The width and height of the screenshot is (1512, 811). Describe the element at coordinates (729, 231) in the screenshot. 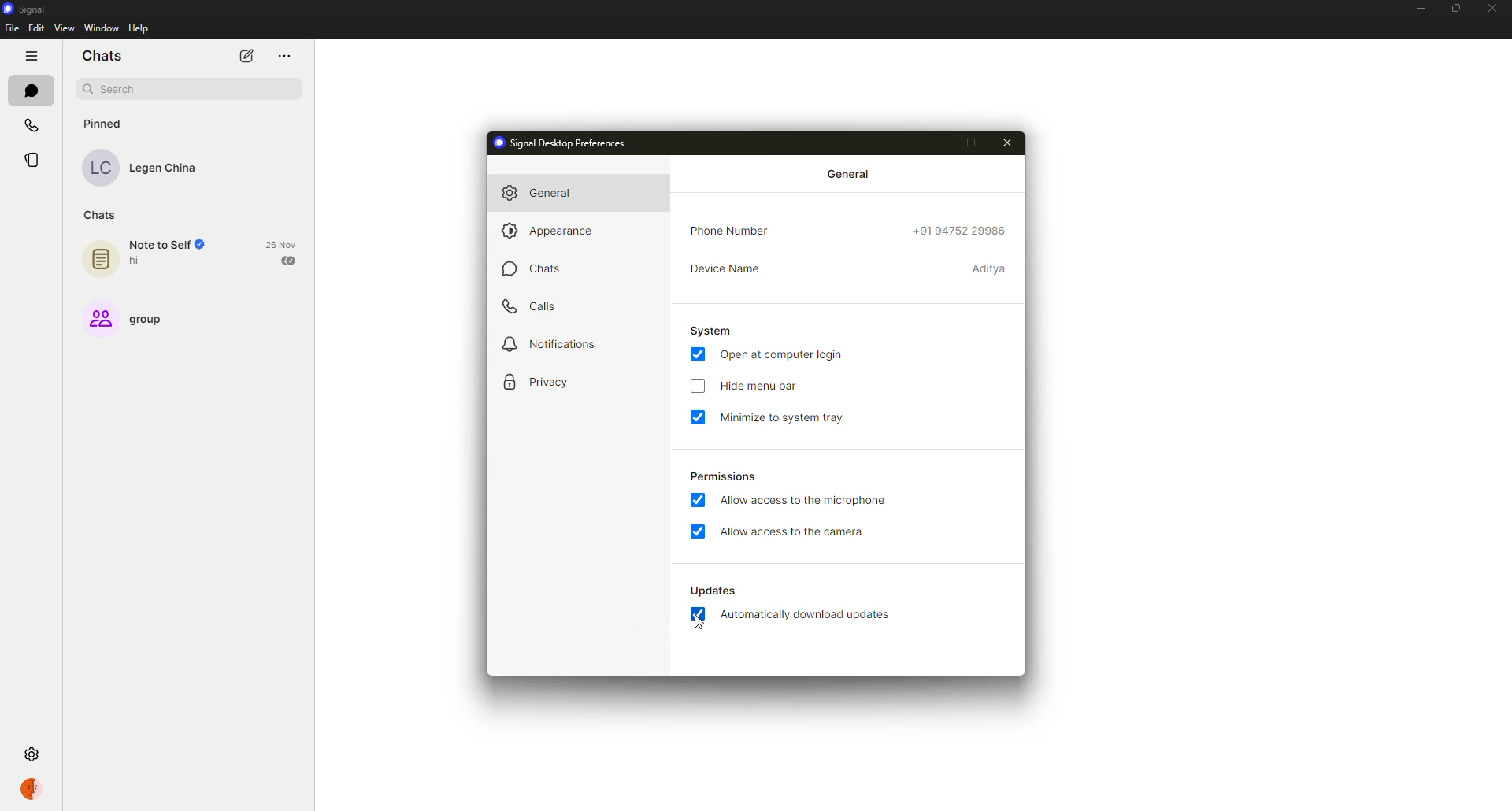

I see `phone number` at that location.